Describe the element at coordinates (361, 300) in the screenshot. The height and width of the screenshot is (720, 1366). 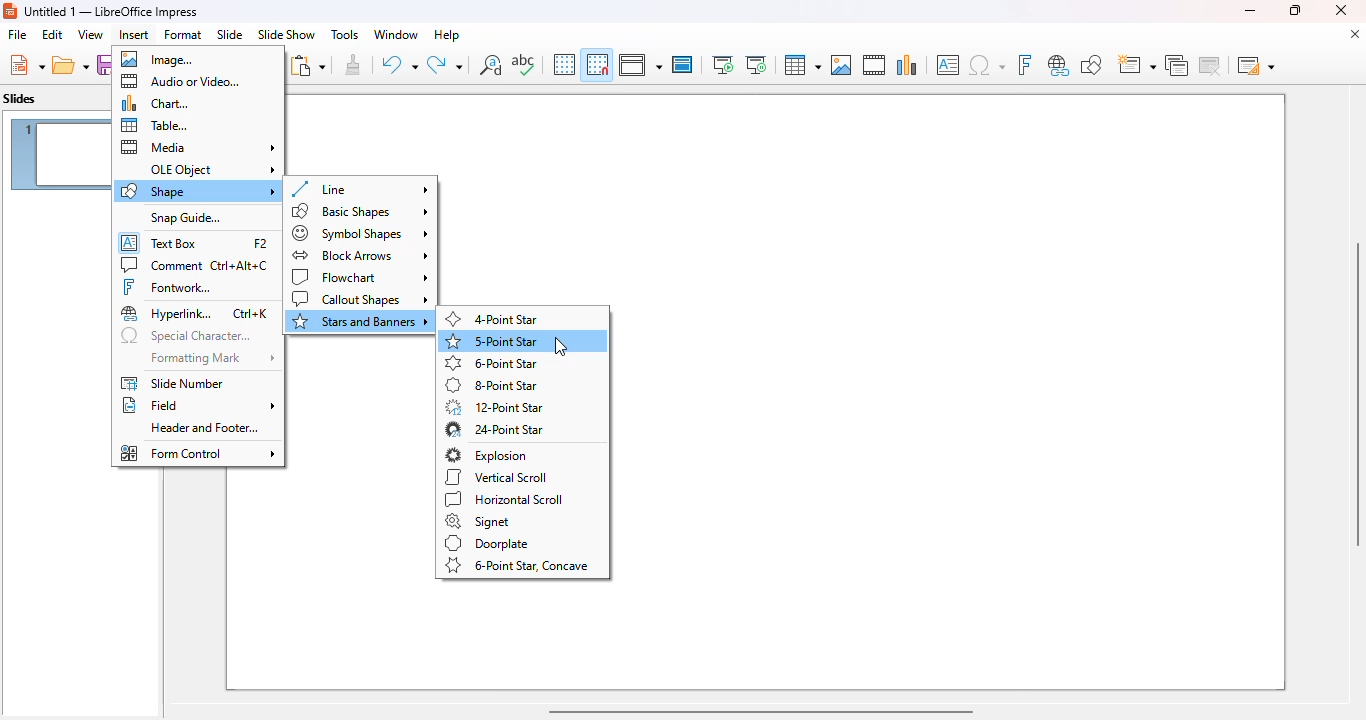
I see `callout shapes` at that location.